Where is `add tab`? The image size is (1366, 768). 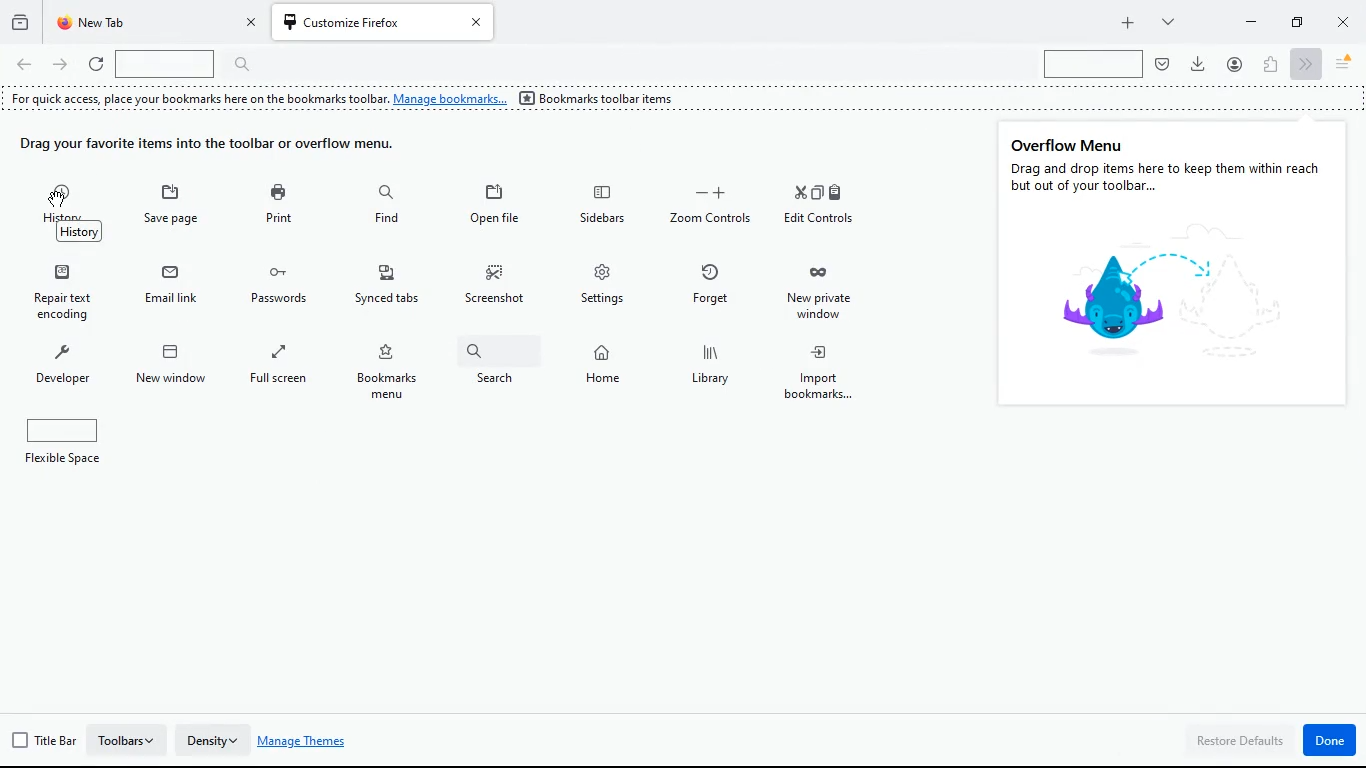
add tab is located at coordinates (1127, 23).